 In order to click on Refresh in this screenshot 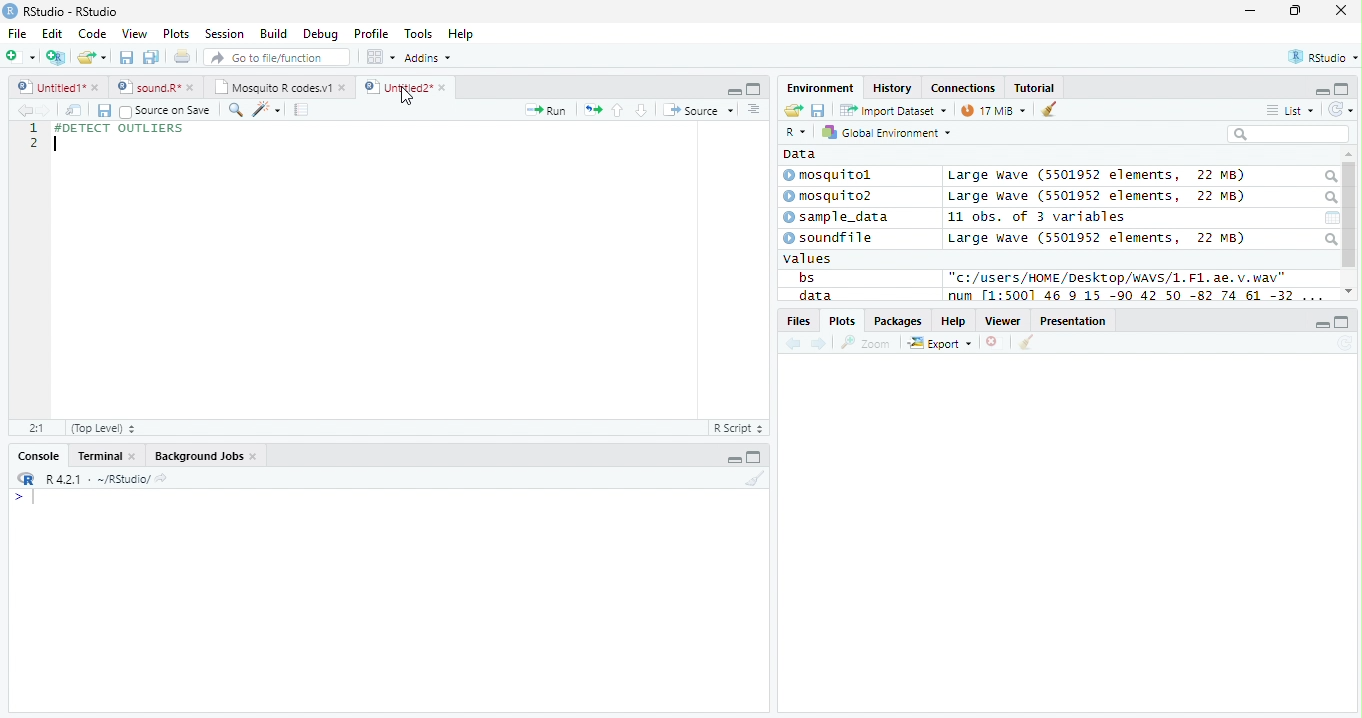, I will do `click(1341, 110)`.